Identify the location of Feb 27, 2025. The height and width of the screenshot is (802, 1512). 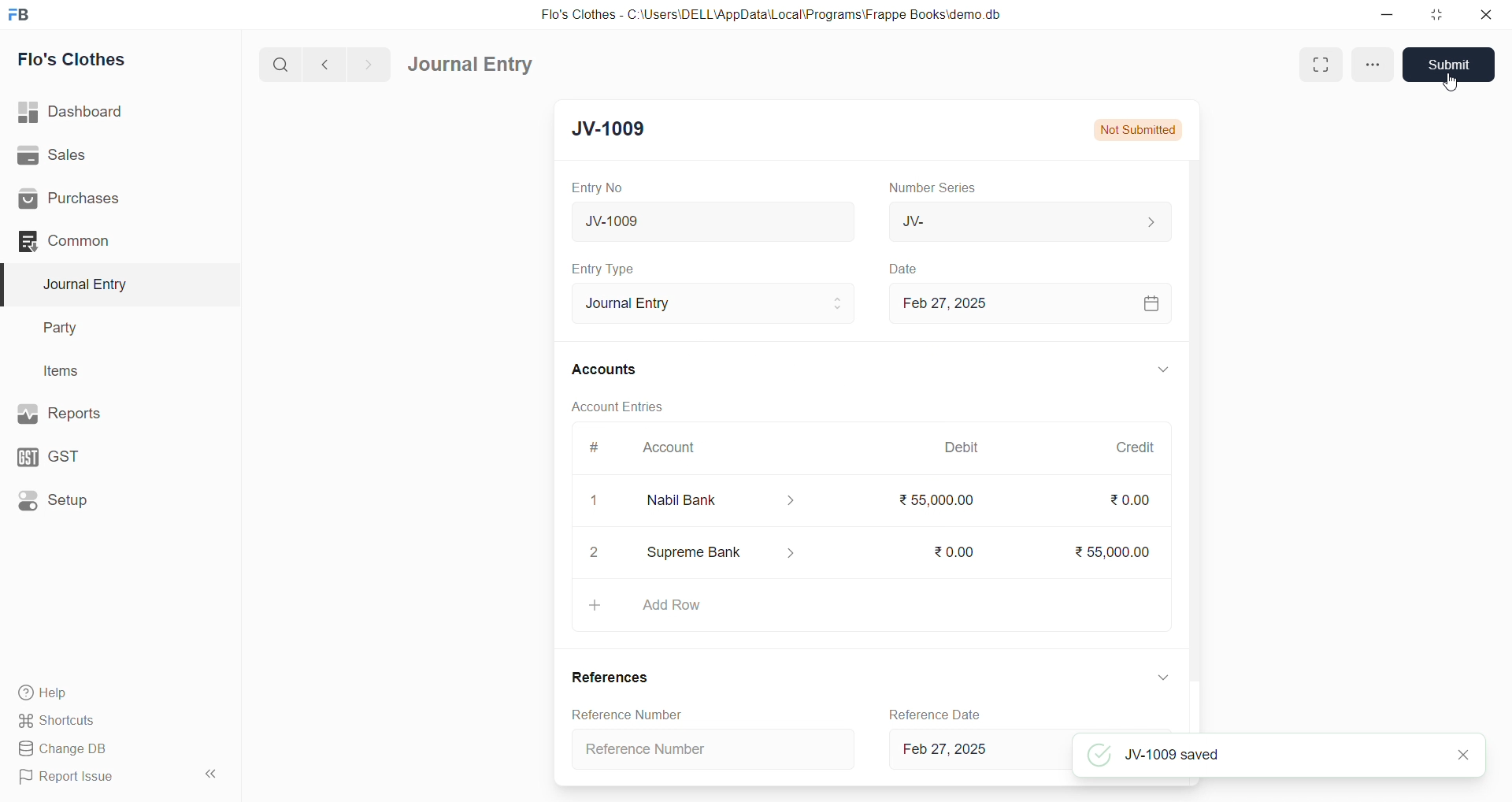
(1028, 303).